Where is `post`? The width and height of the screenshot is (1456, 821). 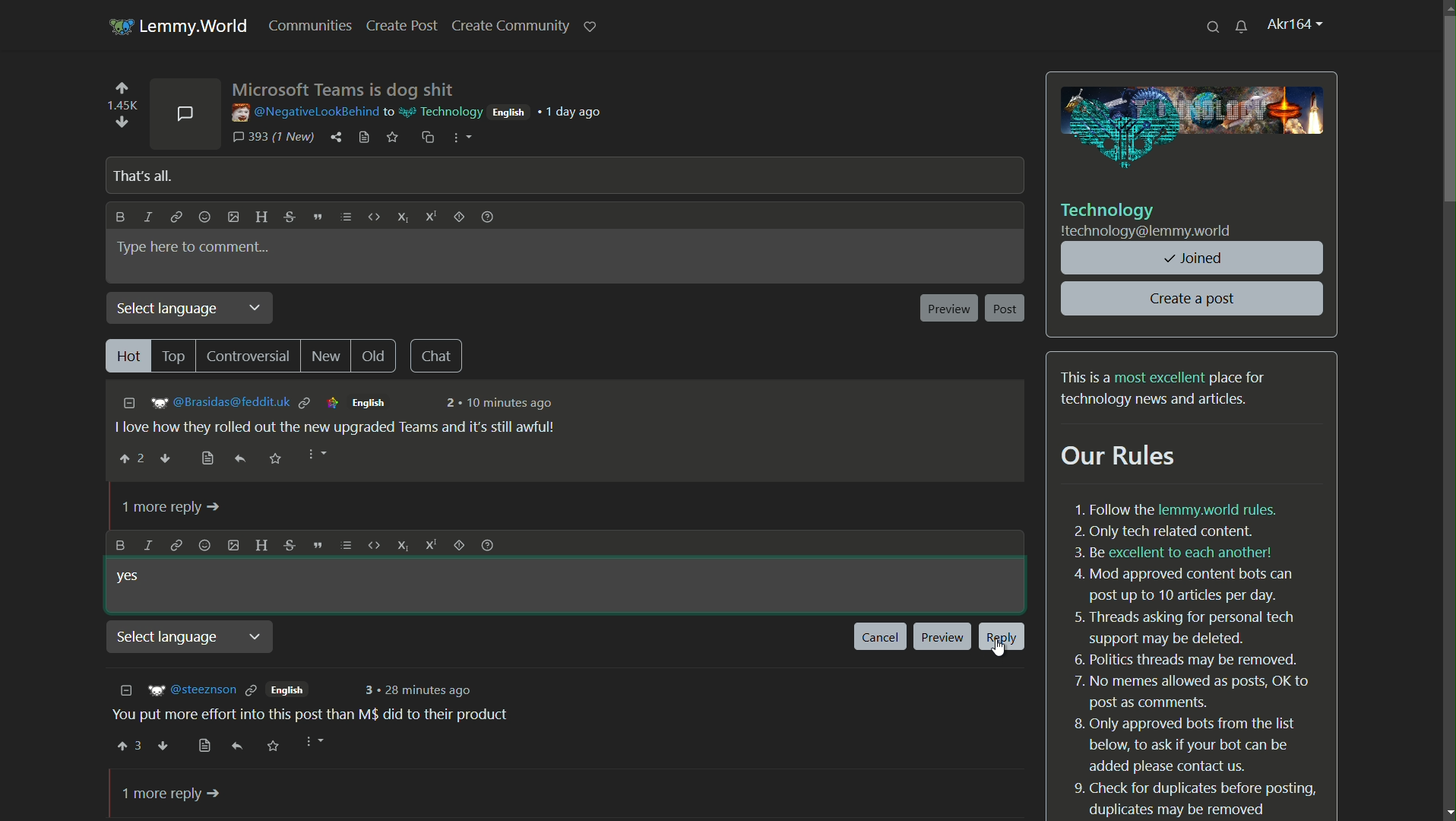 post is located at coordinates (1006, 309).